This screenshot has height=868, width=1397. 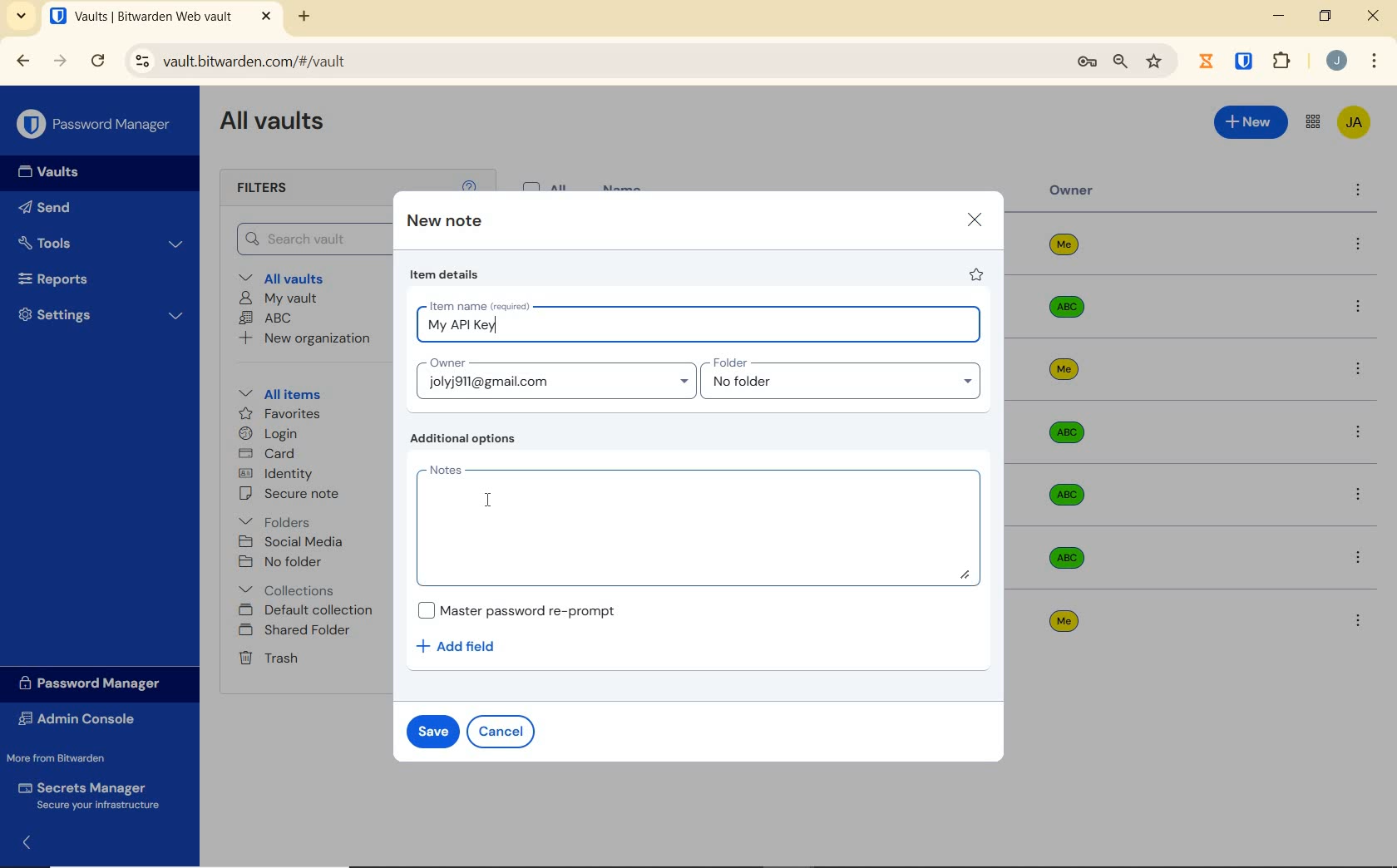 I want to click on Trash, so click(x=271, y=659).